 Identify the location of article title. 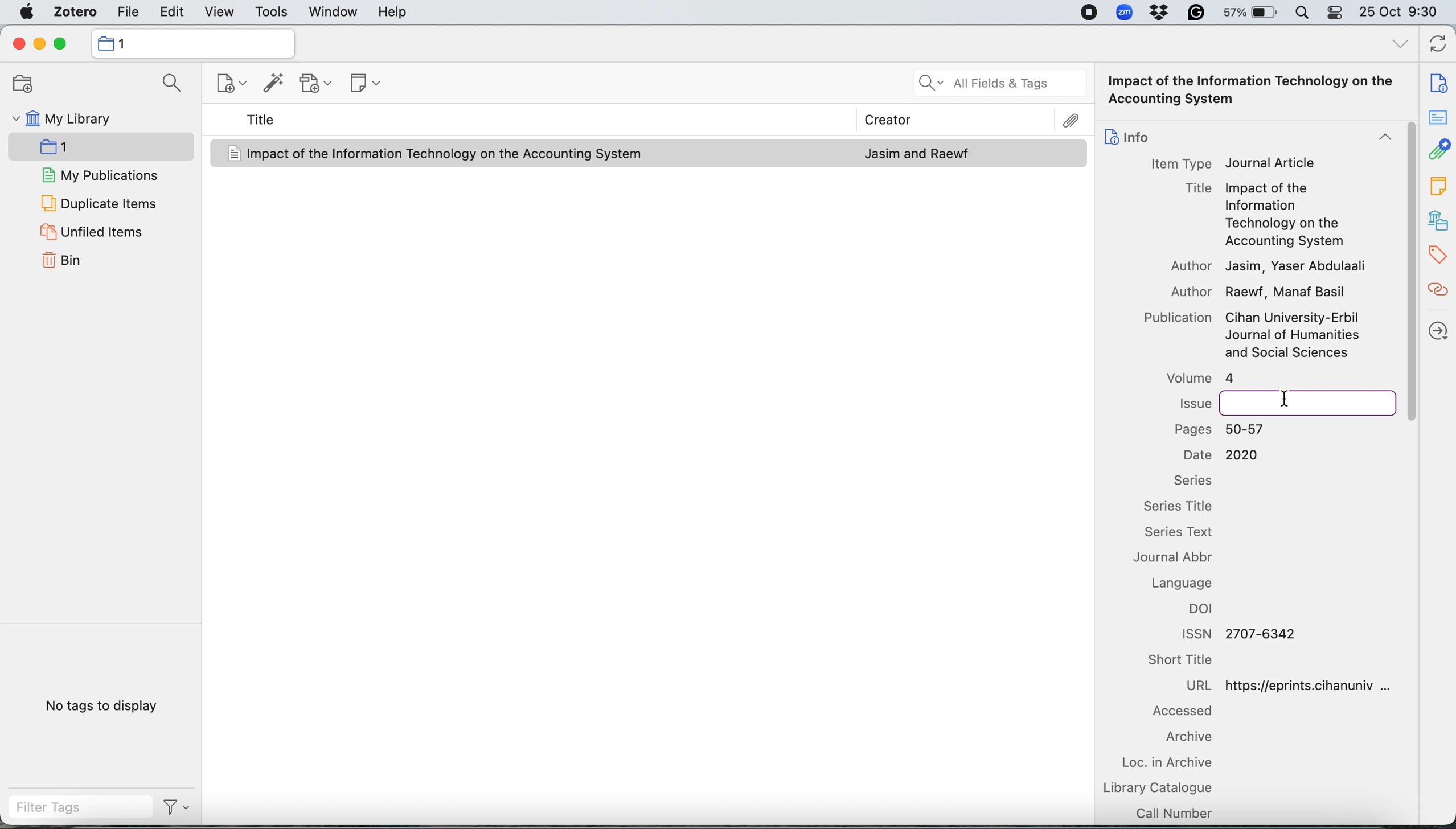
(1197, 187).